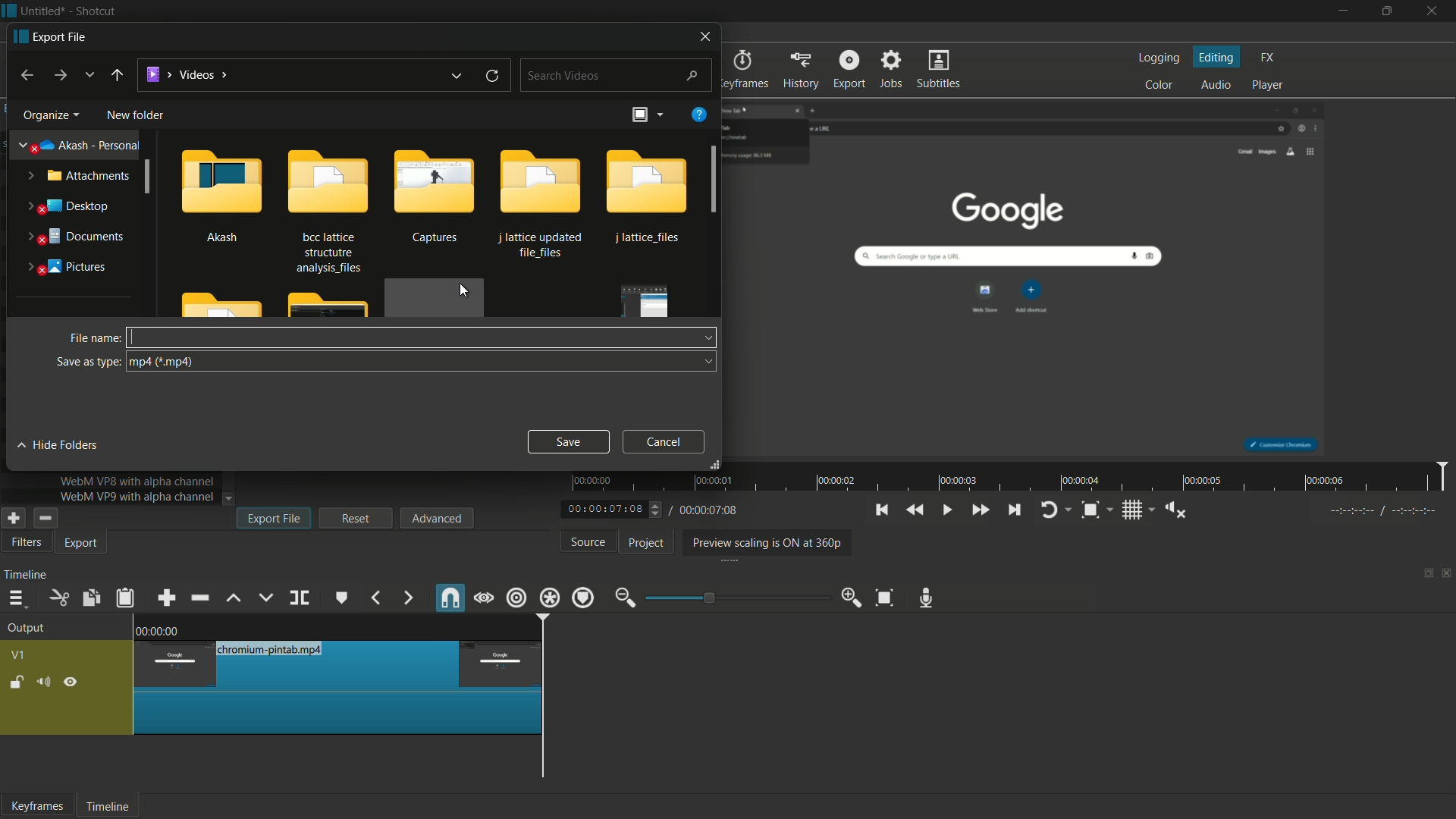 The height and width of the screenshot is (819, 1456). Describe the element at coordinates (375, 598) in the screenshot. I see `previous marker` at that location.